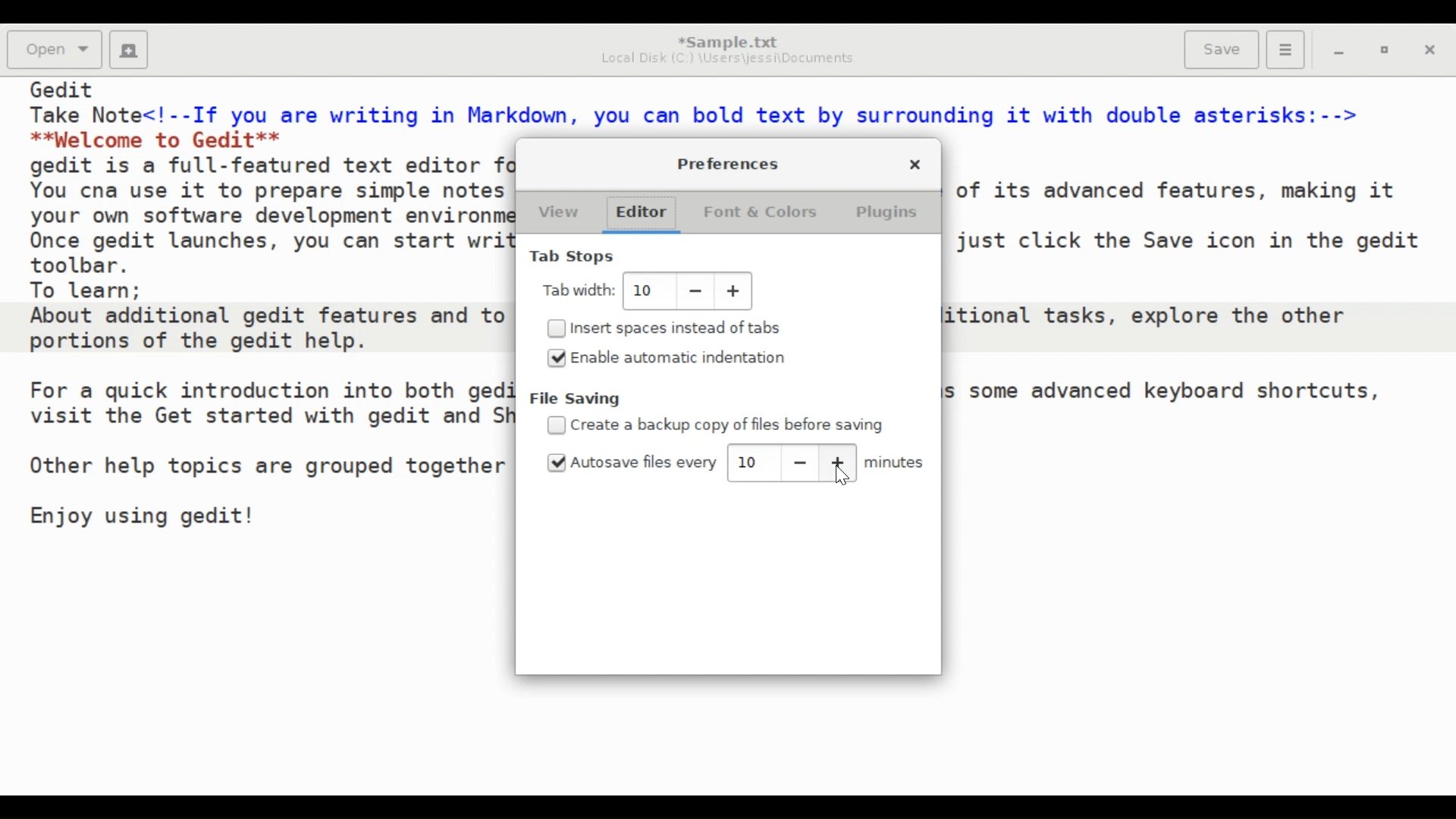 The height and width of the screenshot is (819, 1456). Describe the element at coordinates (750, 463) in the screenshot. I see `10` at that location.